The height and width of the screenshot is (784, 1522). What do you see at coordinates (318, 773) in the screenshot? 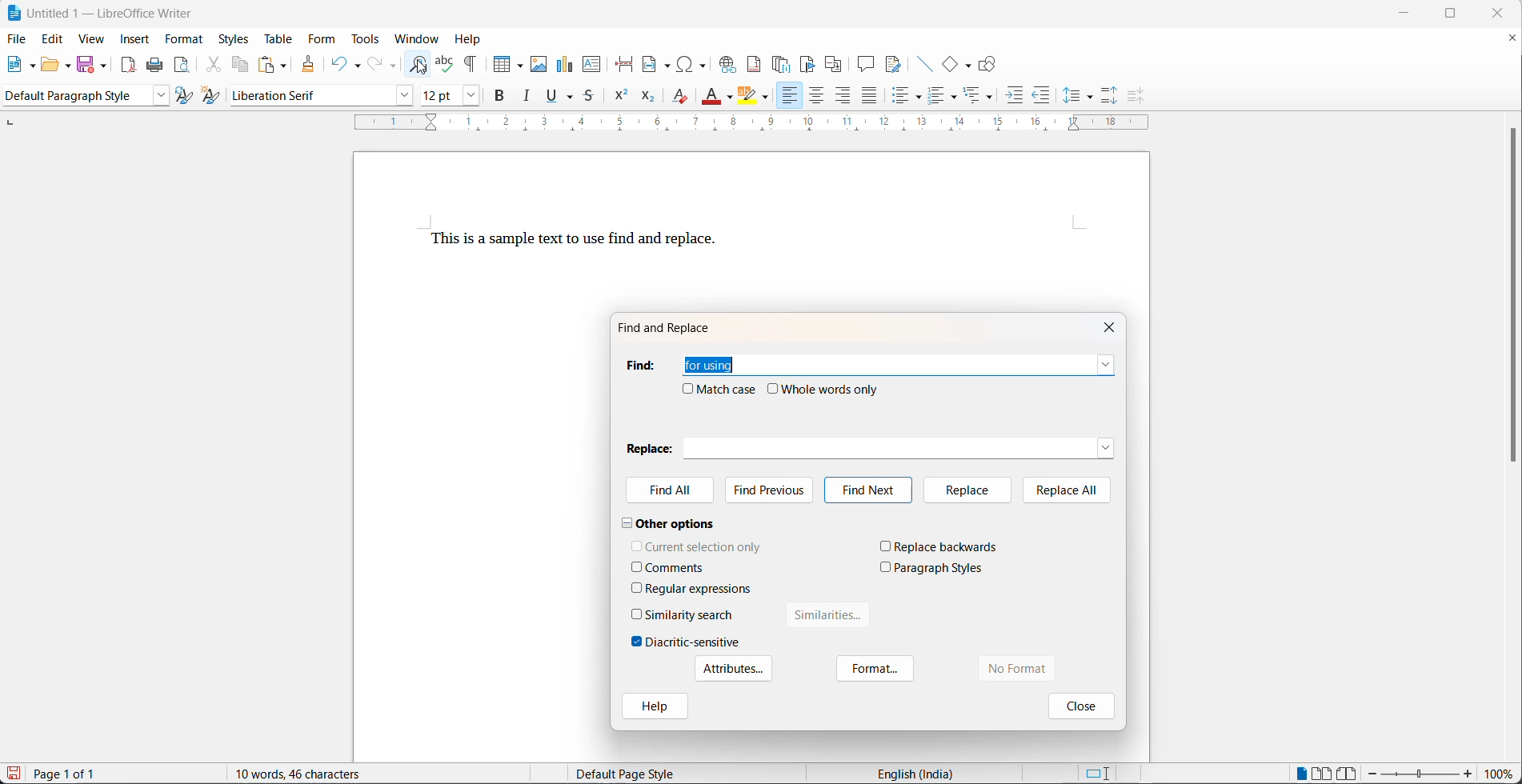
I see `10 words, 46 characters` at bounding box center [318, 773].